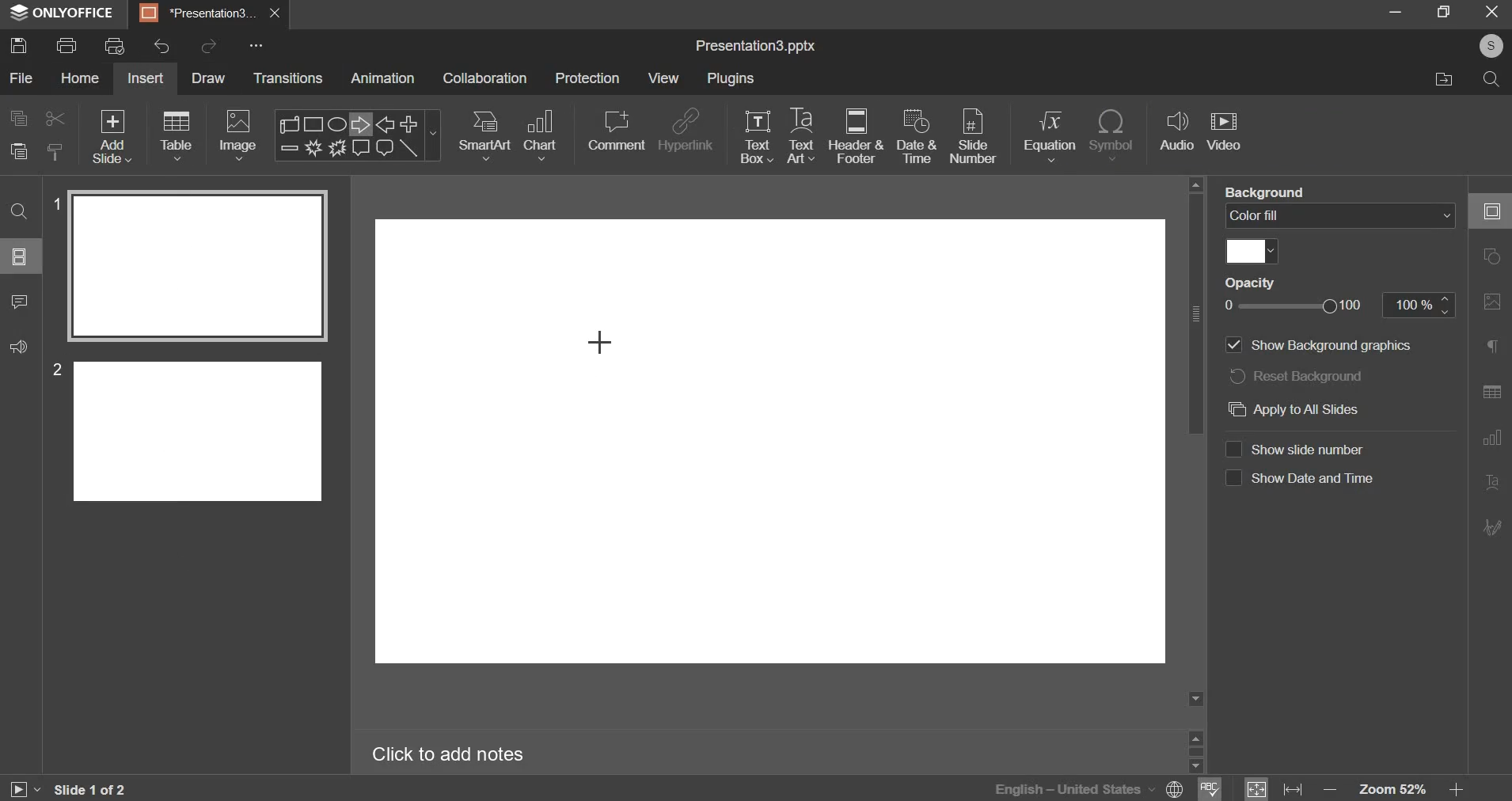  What do you see at coordinates (757, 137) in the screenshot?
I see `text box` at bounding box center [757, 137].